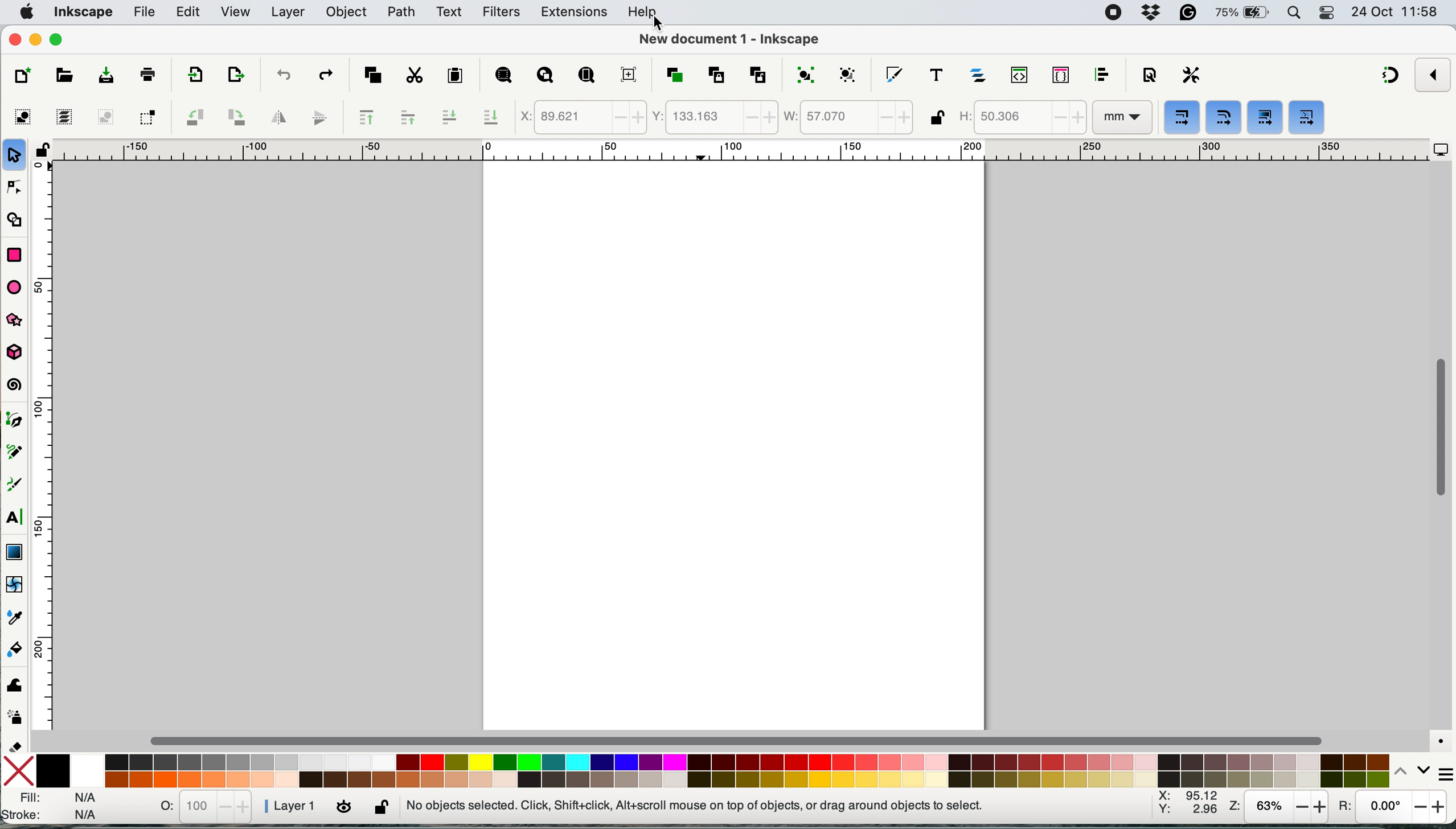  What do you see at coordinates (17, 286) in the screenshot?
I see `ellipse arc tool` at bounding box center [17, 286].